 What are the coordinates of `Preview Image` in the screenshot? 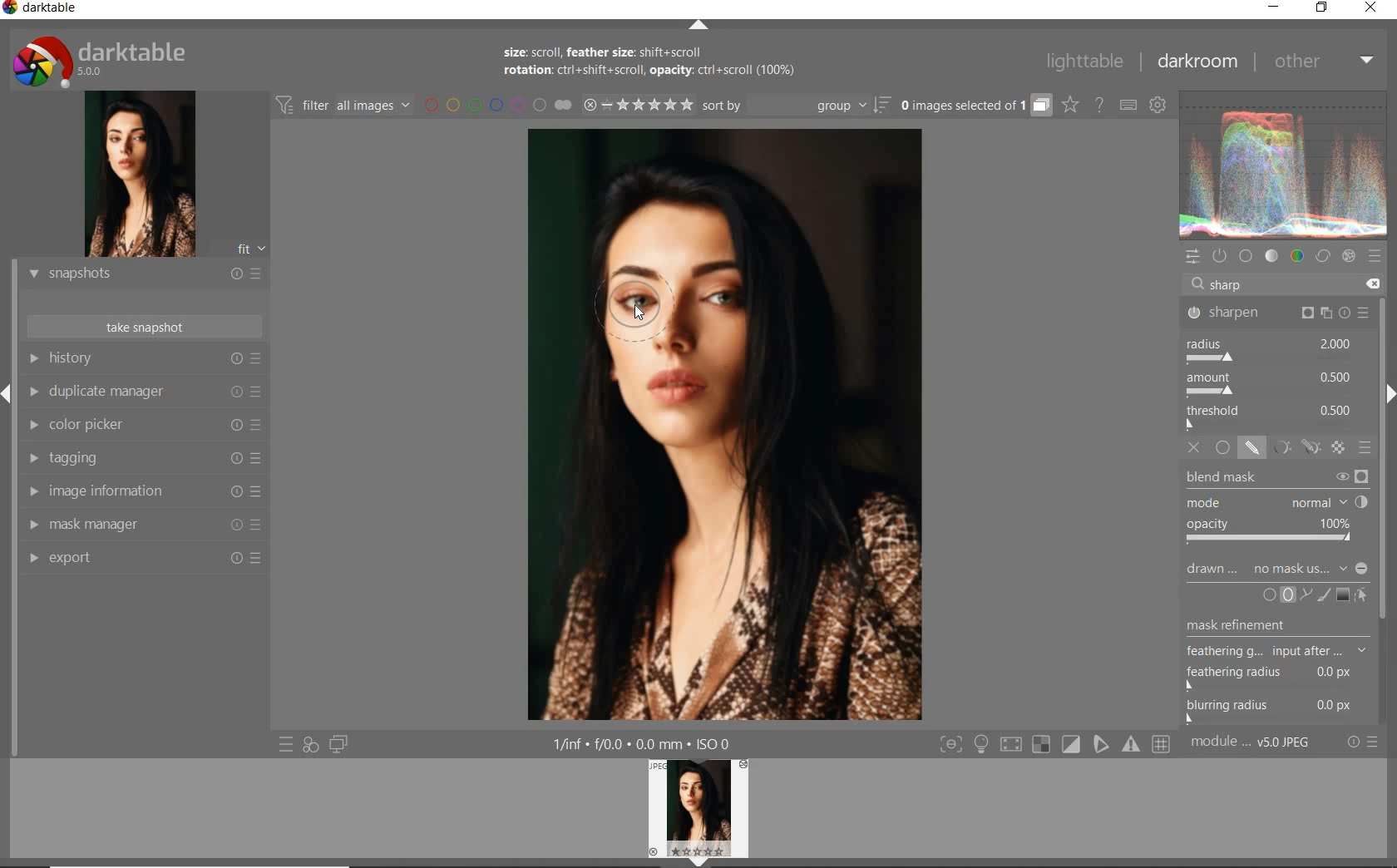 It's located at (698, 808).